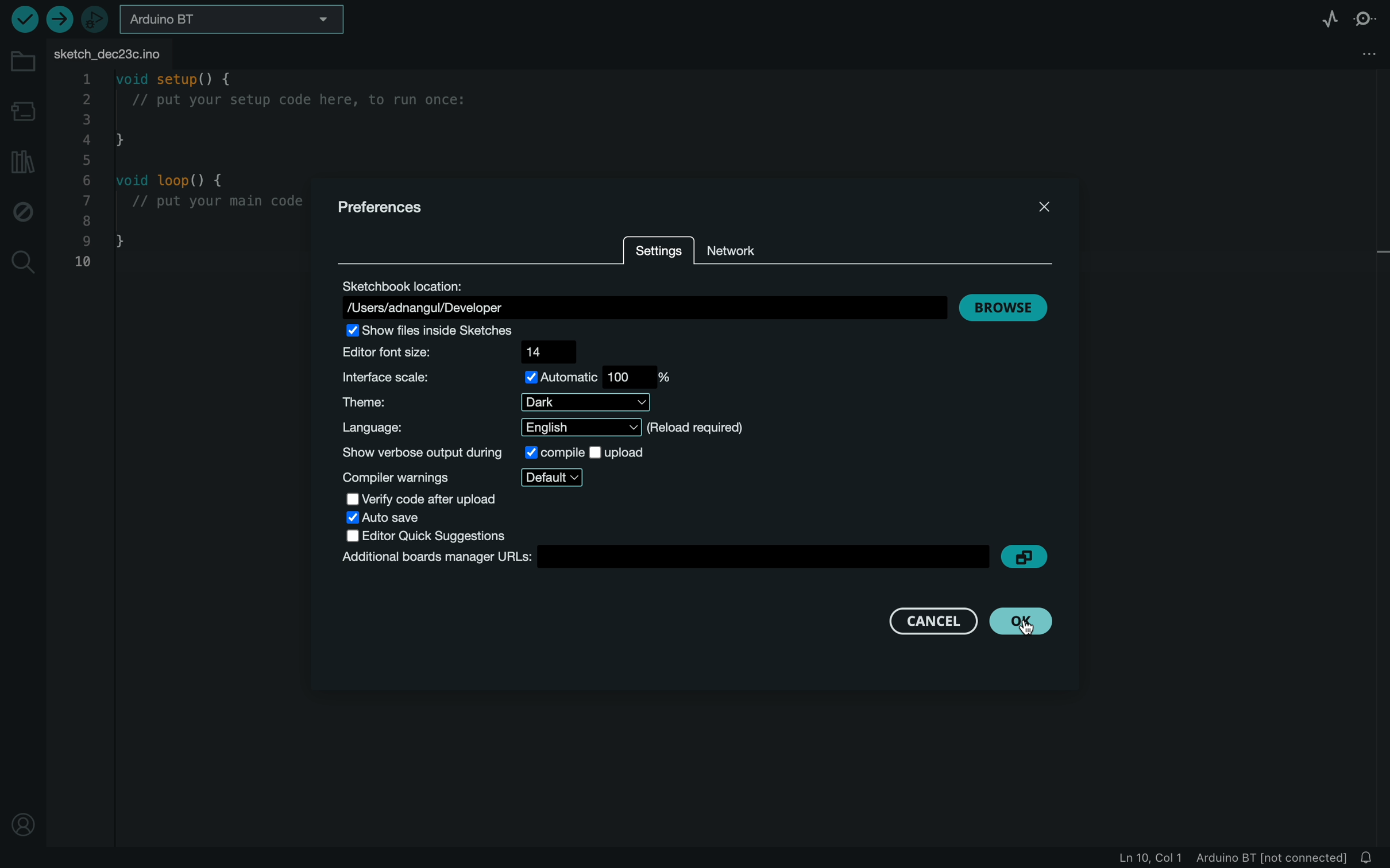 The height and width of the screenshot is (868, 1390). I want to click on code, so click(186, 172).